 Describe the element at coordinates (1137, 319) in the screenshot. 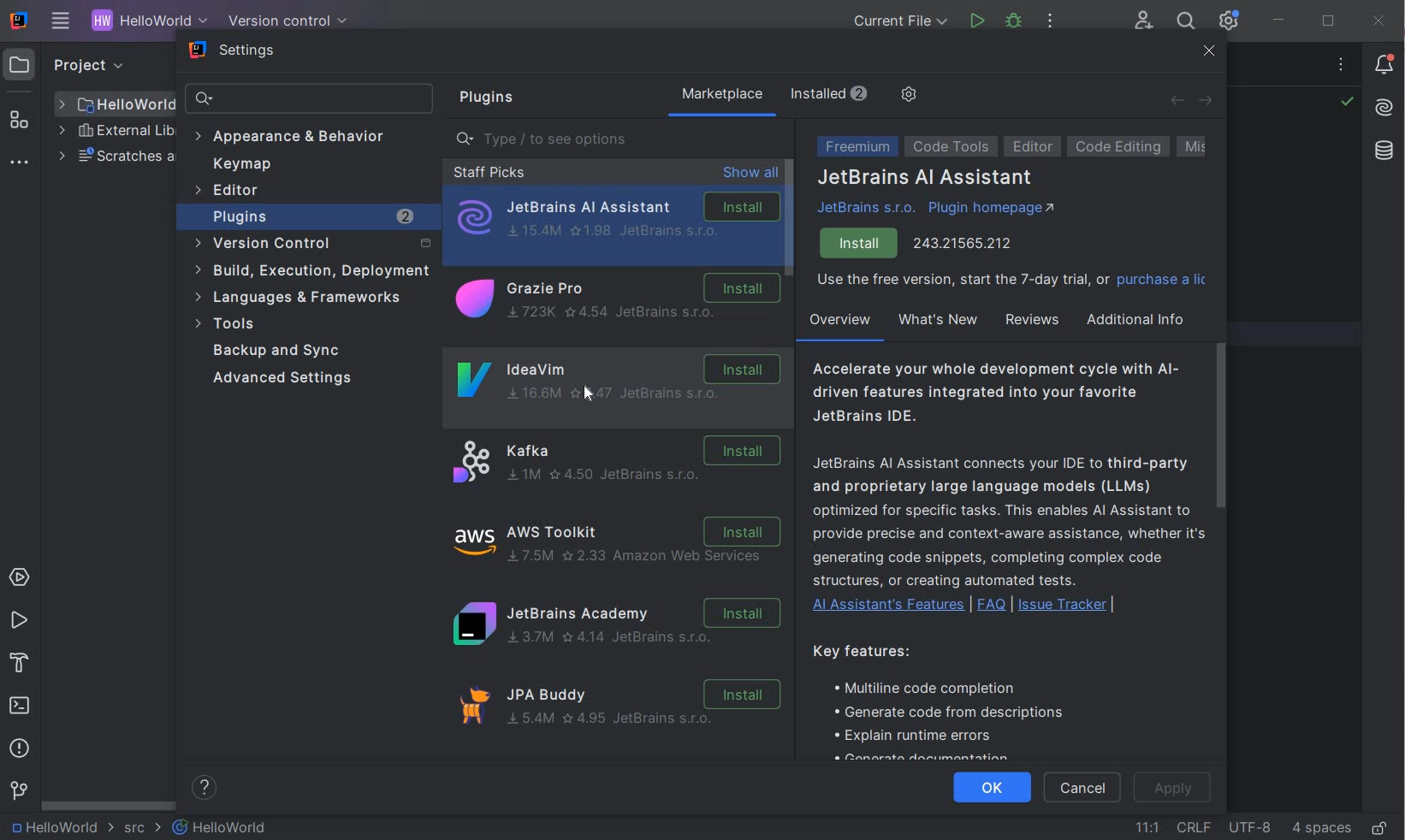

I see `additional info` at that location.